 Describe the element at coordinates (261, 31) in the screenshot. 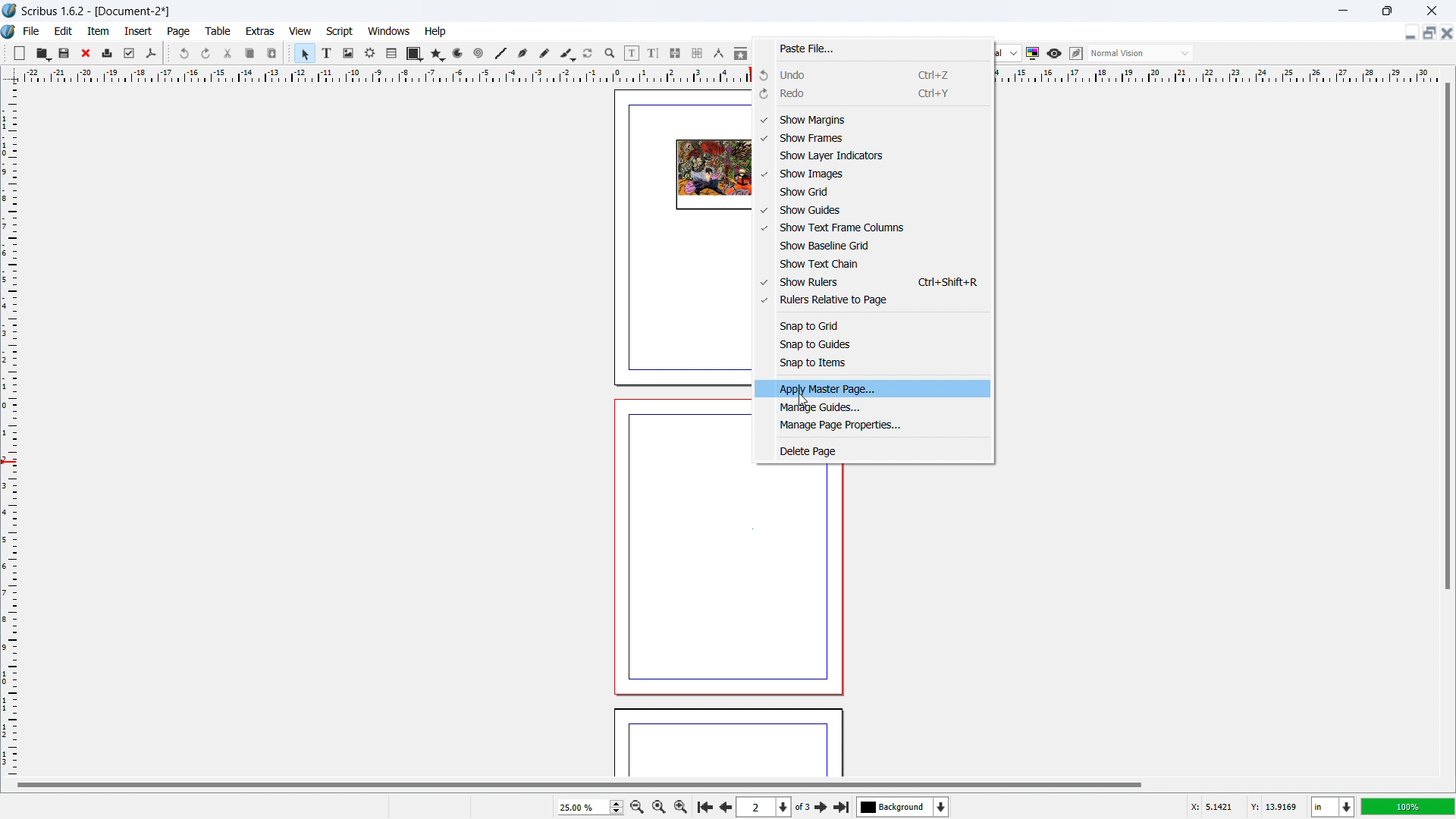

I see `extras` at that location.